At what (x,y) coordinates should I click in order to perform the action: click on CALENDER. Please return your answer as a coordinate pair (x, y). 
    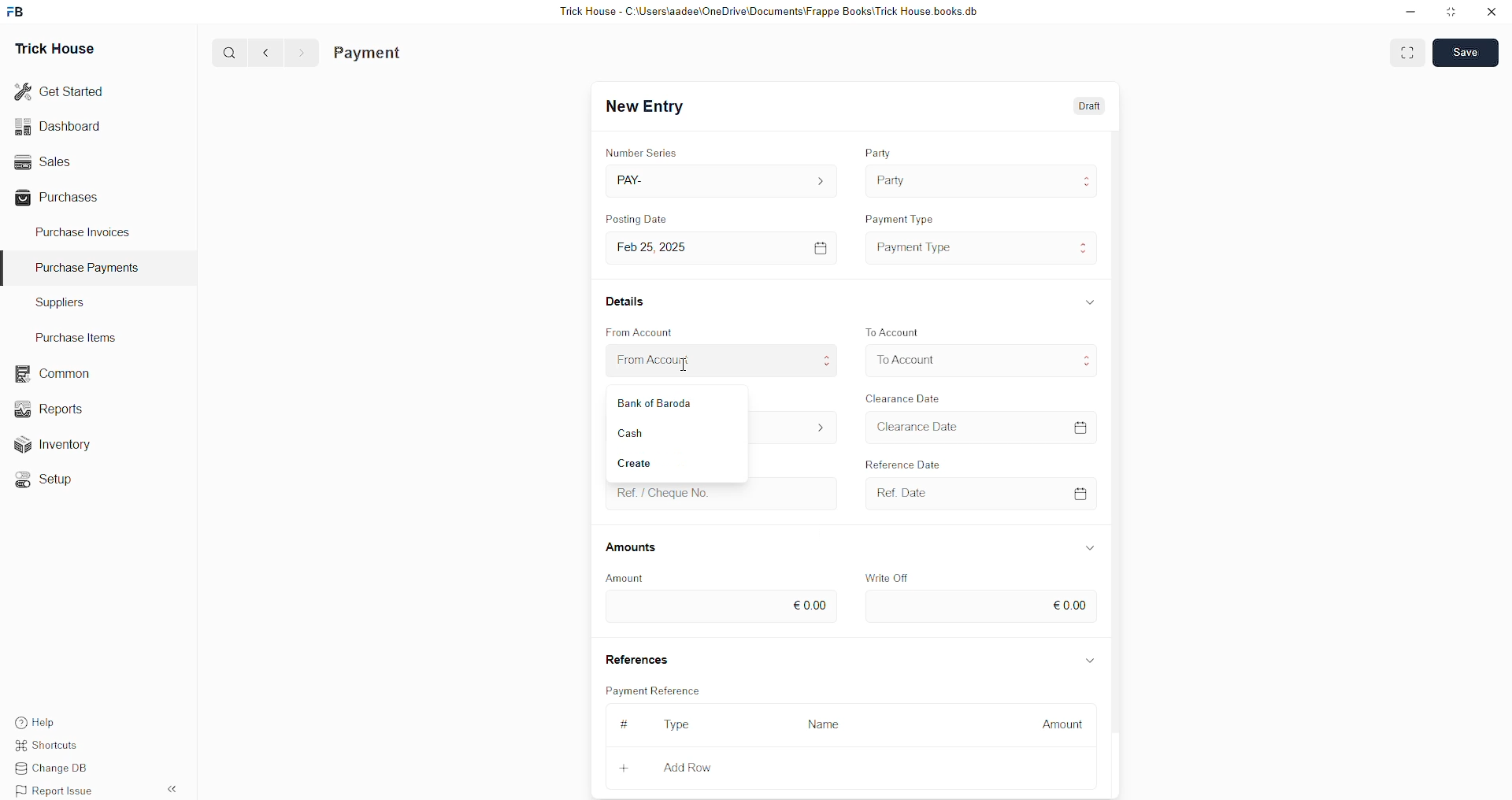
    Looking at the image, I should click on (1080, 492).